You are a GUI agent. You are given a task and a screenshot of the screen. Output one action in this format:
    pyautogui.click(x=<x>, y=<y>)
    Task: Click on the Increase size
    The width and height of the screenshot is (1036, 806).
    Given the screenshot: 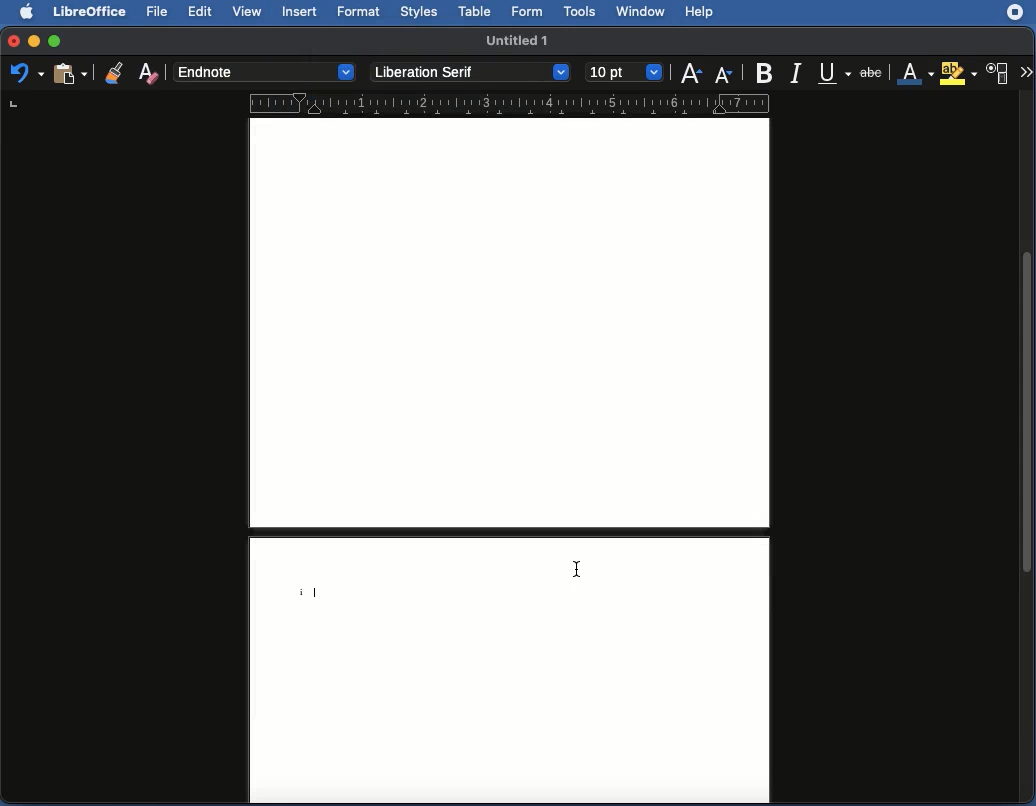 What is the action you would take?
    pyautogui.click(x=694, y=70)
    